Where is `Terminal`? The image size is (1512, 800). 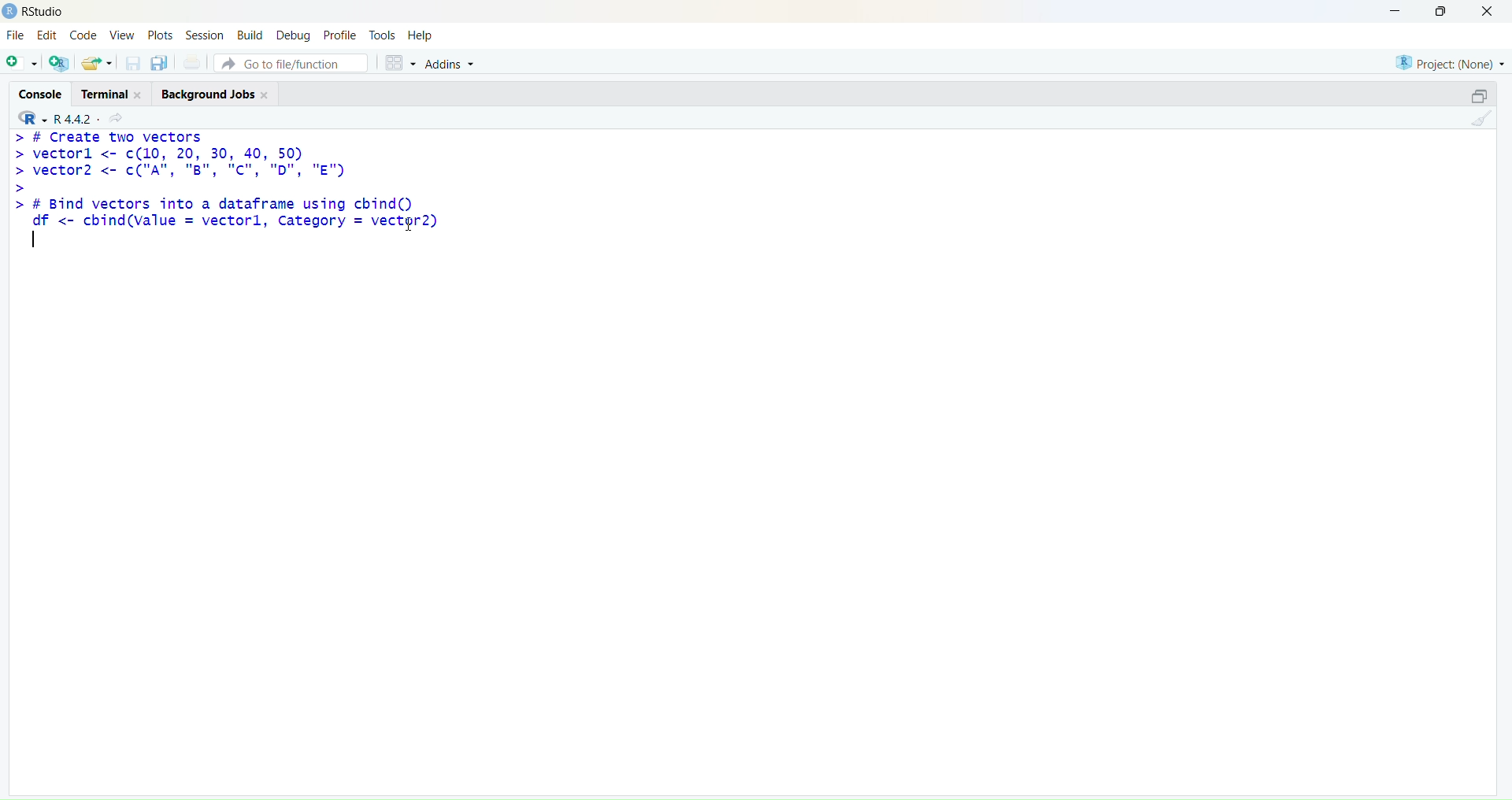 Terminal is located at coordinates (109, 94).